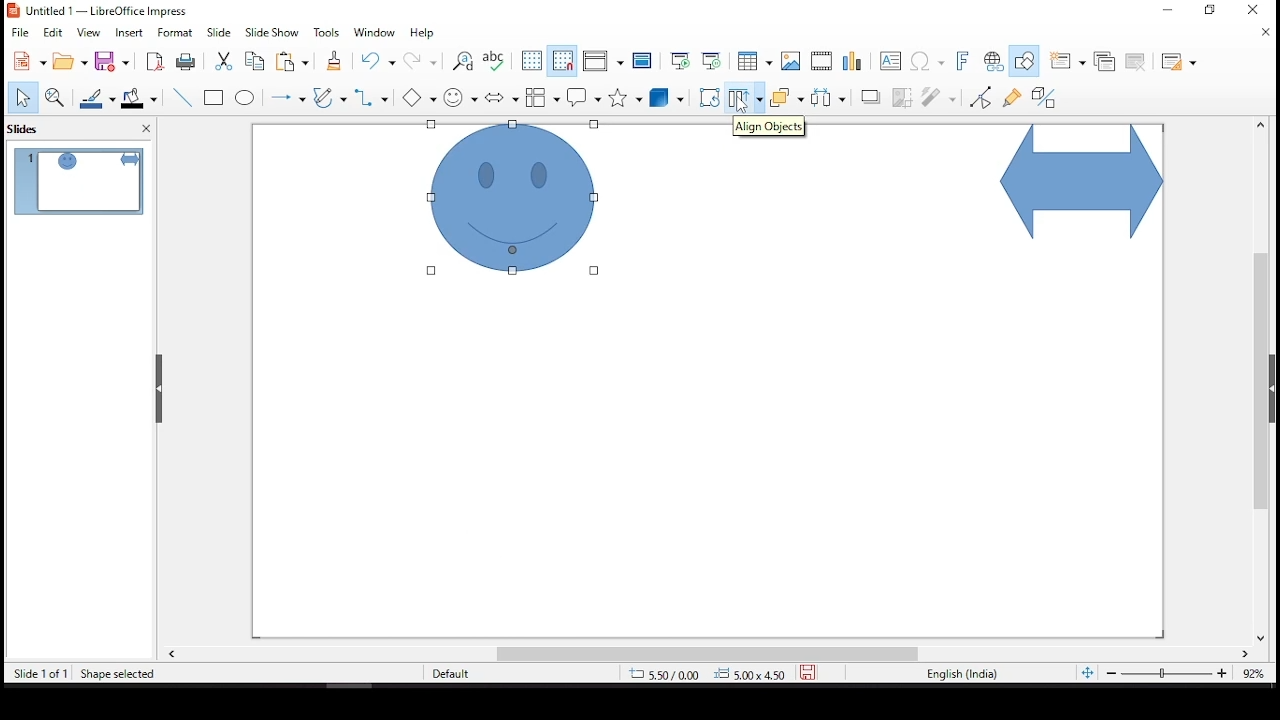 The image size is (1280, 720). I want to click on drag handle, so click(161, 389).